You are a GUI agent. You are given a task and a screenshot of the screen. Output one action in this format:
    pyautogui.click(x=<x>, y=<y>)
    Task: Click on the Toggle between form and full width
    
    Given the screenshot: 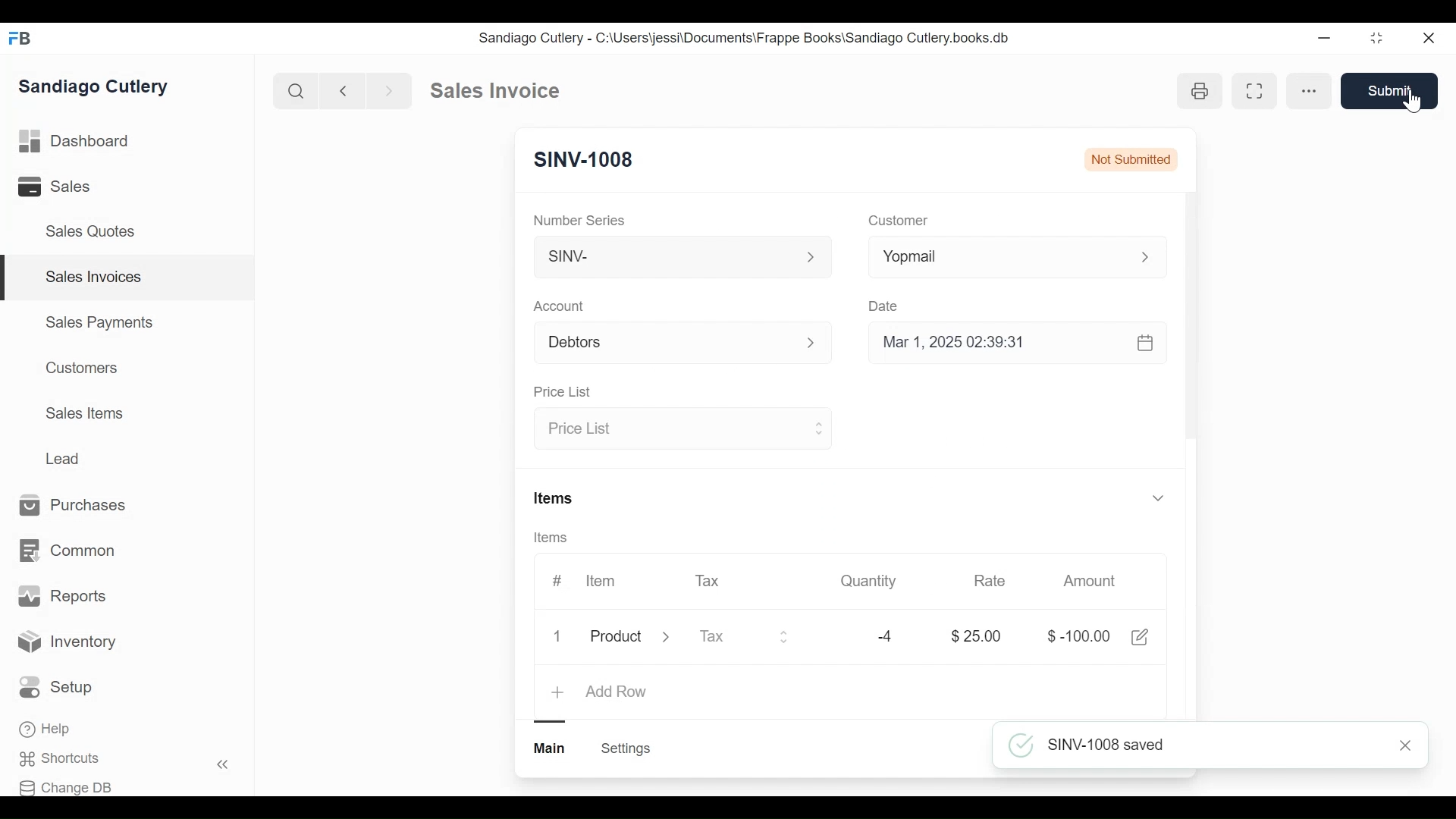 What is the action you would take?
    pyautogui.click(x=1377, y=39)
    